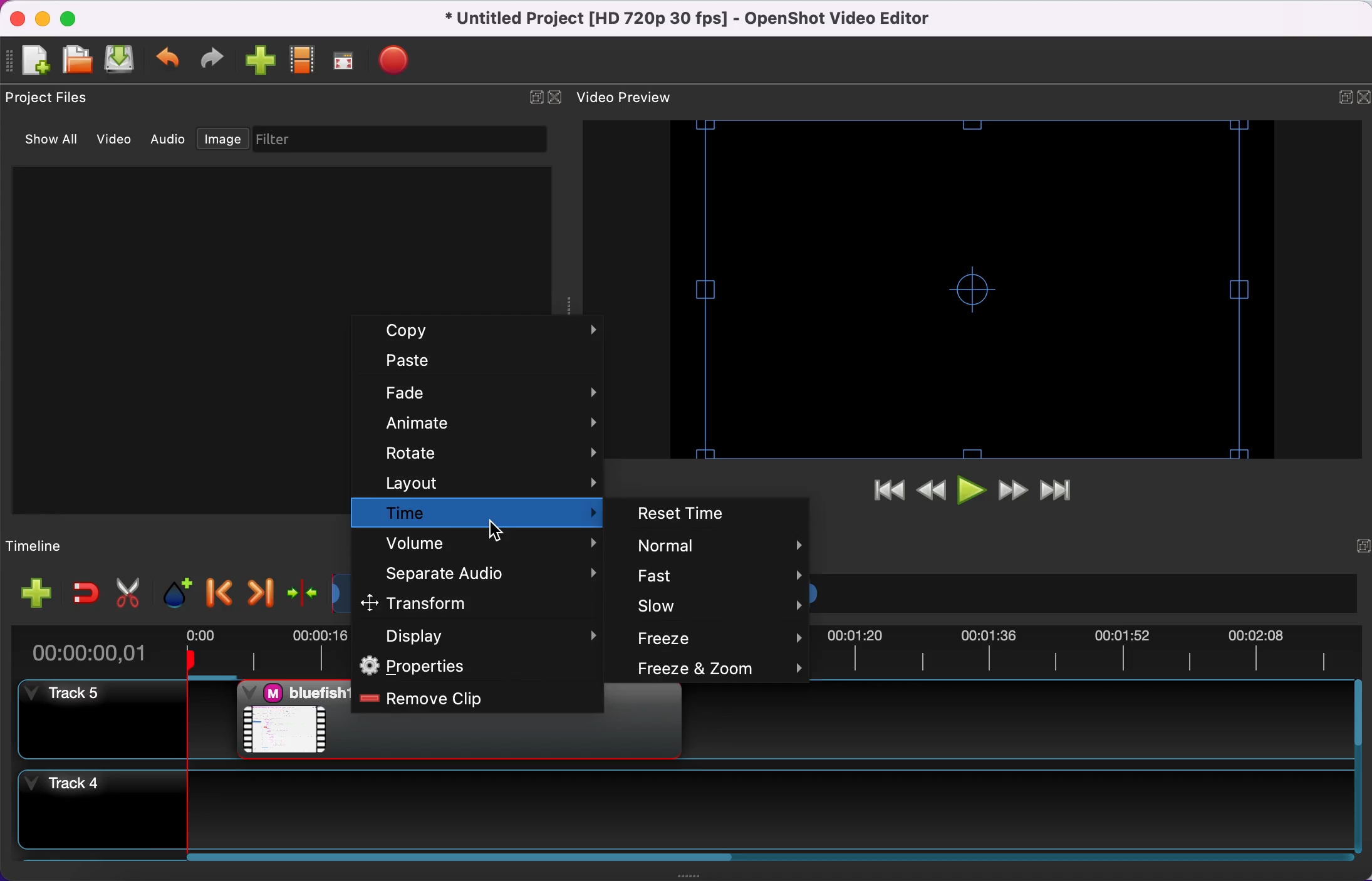 The width and height of the screenshot is (1372, 881). What do you see at coordinates (217, 593) in the screenshot?
I see `previous marker` at bounding box center [217, 593].